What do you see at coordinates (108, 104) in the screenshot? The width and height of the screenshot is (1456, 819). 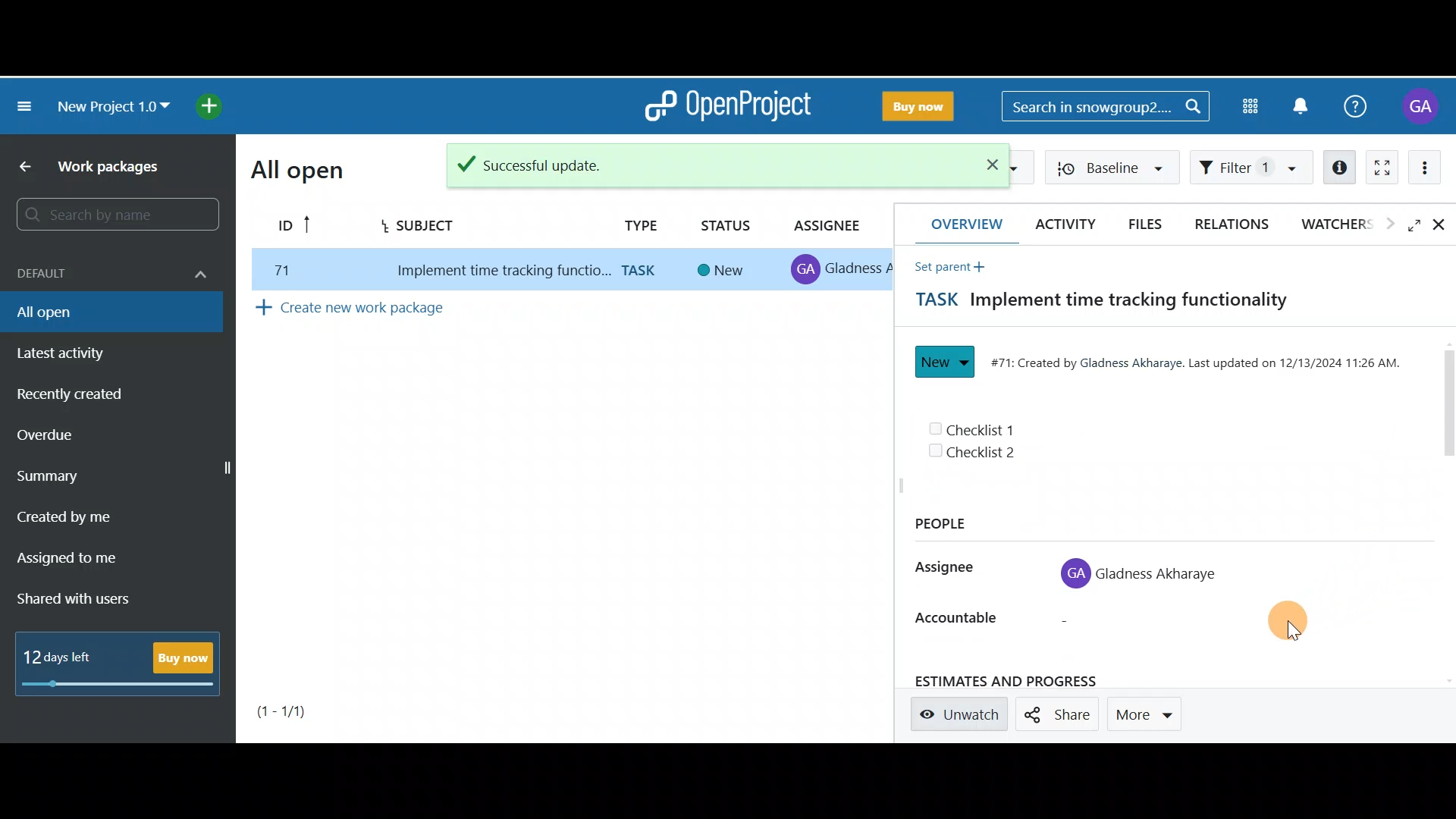 I see `New project 1.0` at bounding box center [108, 104].